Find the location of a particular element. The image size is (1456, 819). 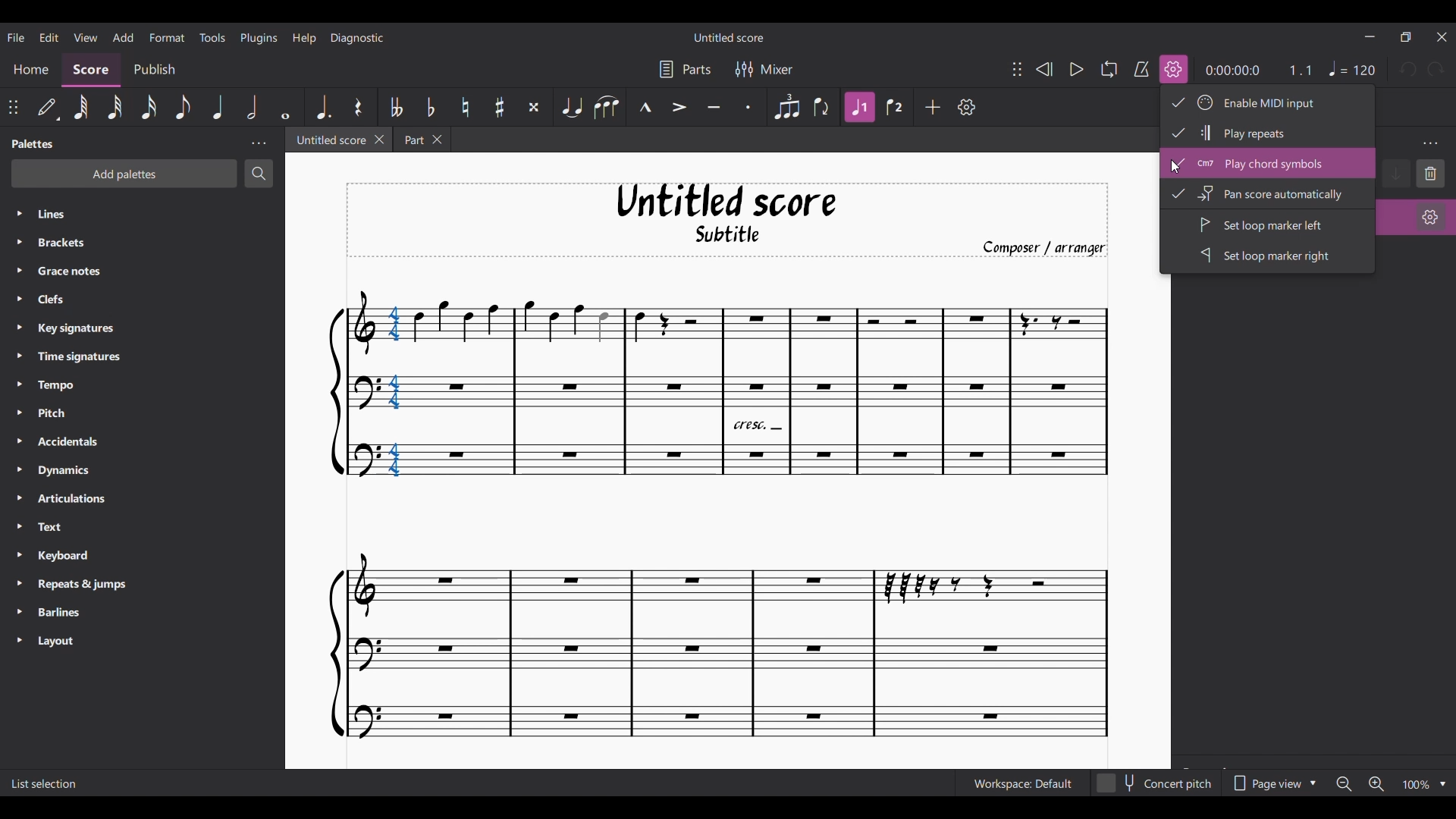

Mixer settings is located at coordinates (764, 69).